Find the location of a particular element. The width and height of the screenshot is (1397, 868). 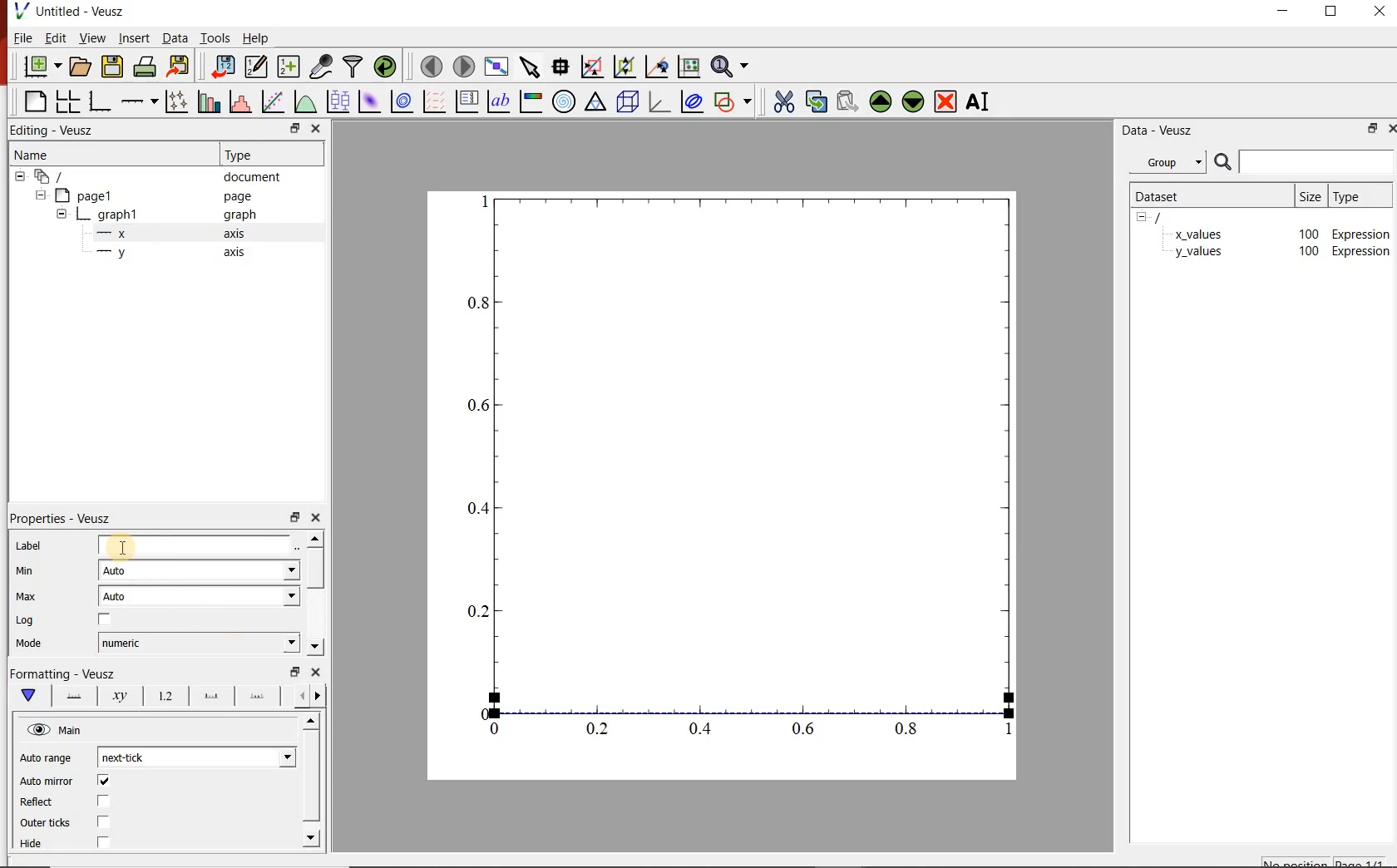

file is located at coordinates (24, 37).